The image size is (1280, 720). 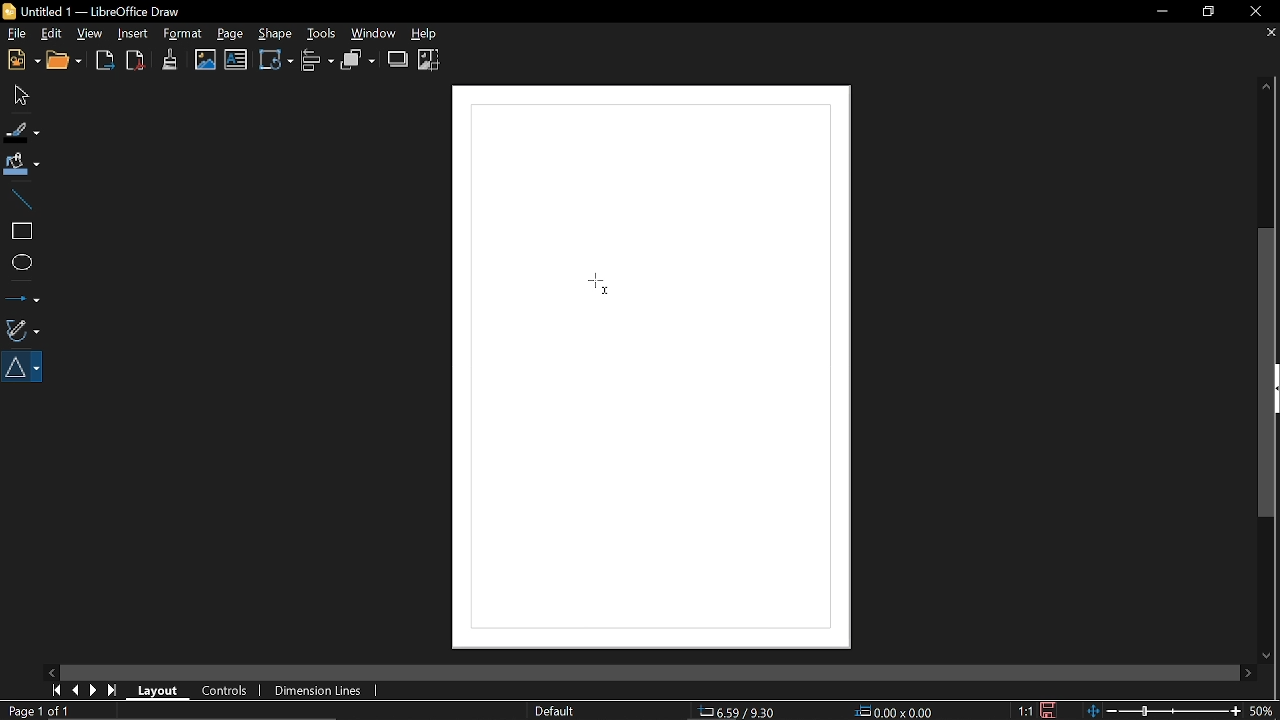 I want to click on Move up, so click(x=1267, y=86).